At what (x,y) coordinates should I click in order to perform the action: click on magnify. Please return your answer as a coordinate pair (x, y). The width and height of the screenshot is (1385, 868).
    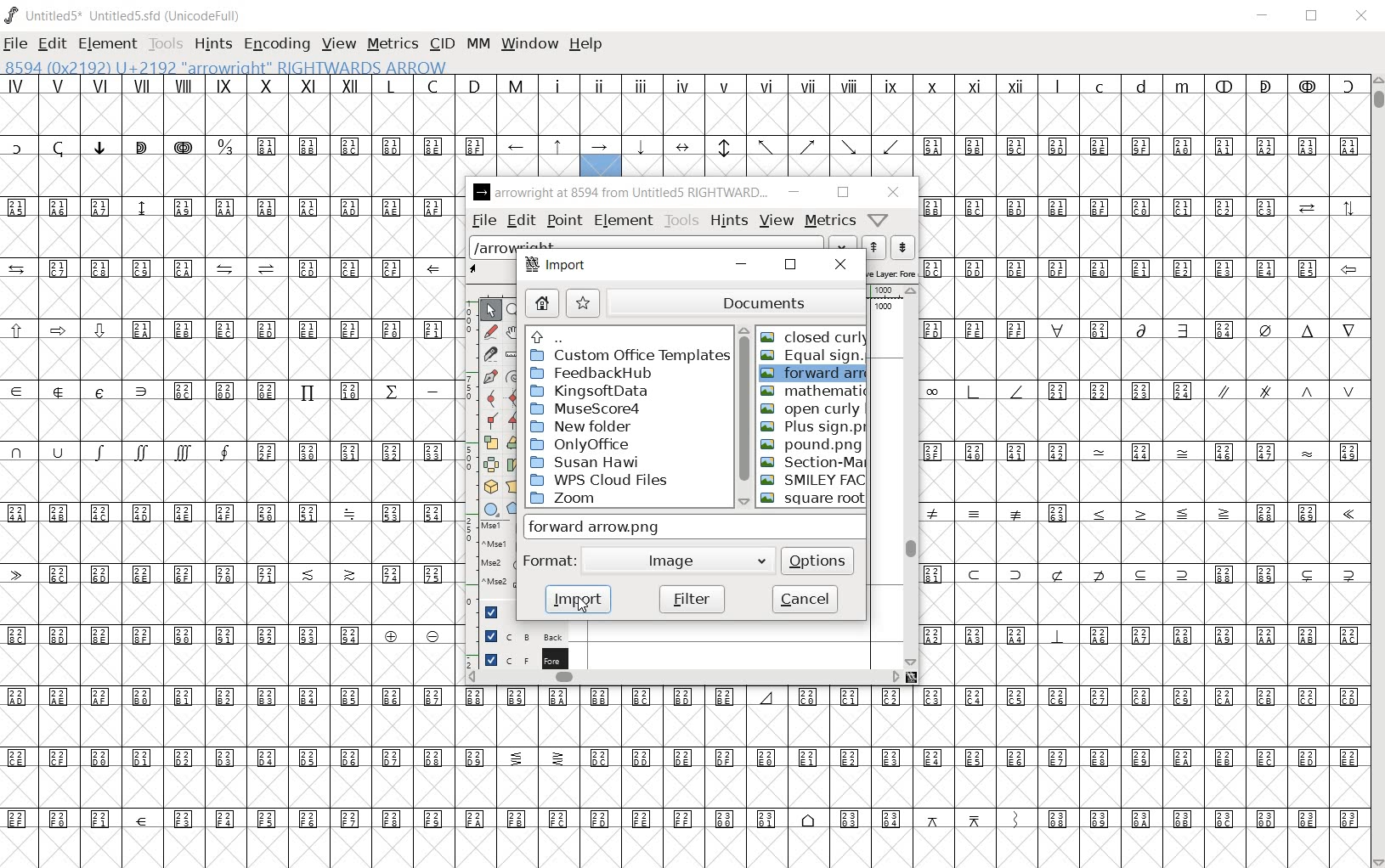
    Looking at the image, I should click on (517, 311).